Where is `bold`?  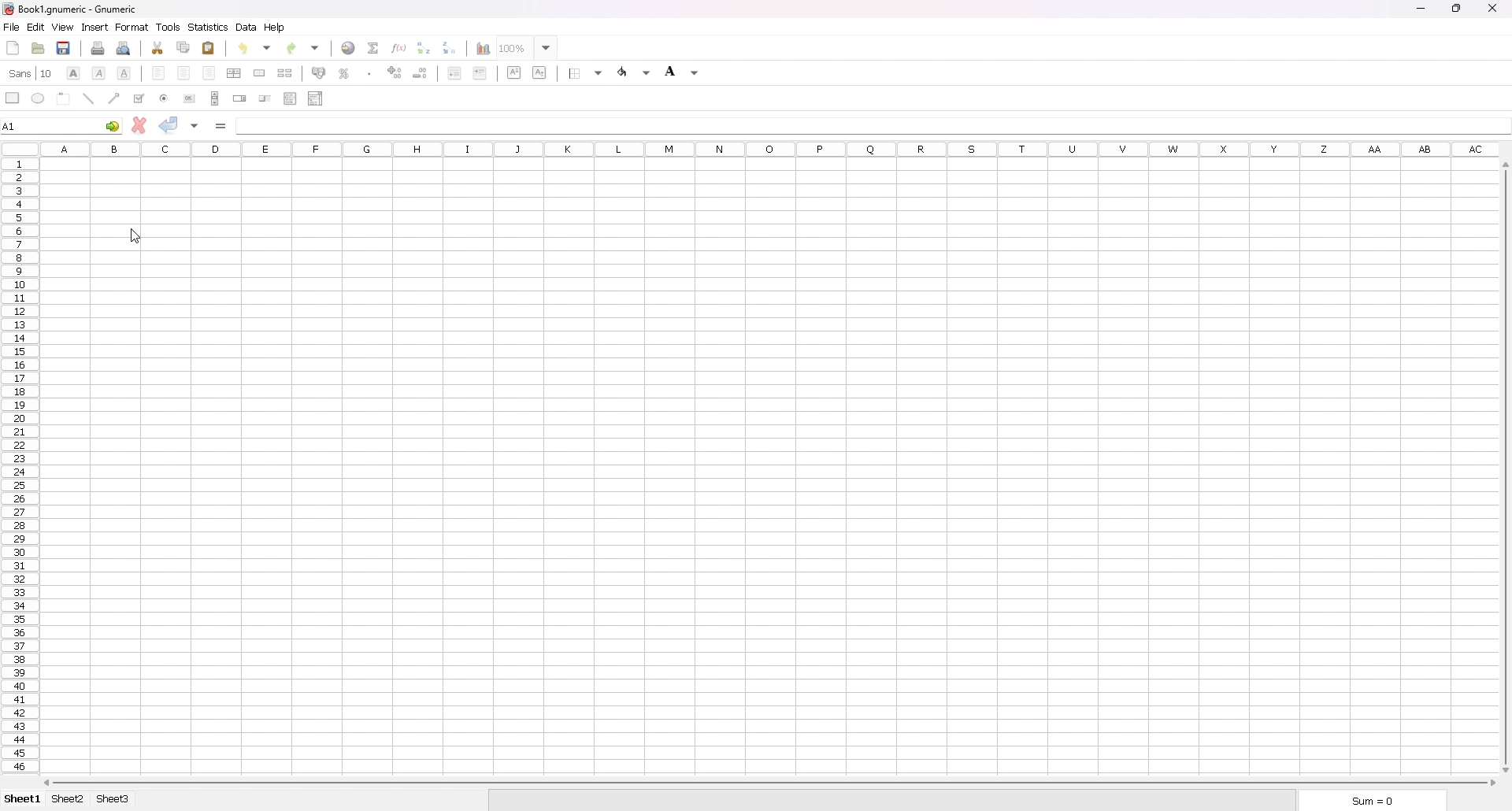 bold is located at coordinates (75, 72).